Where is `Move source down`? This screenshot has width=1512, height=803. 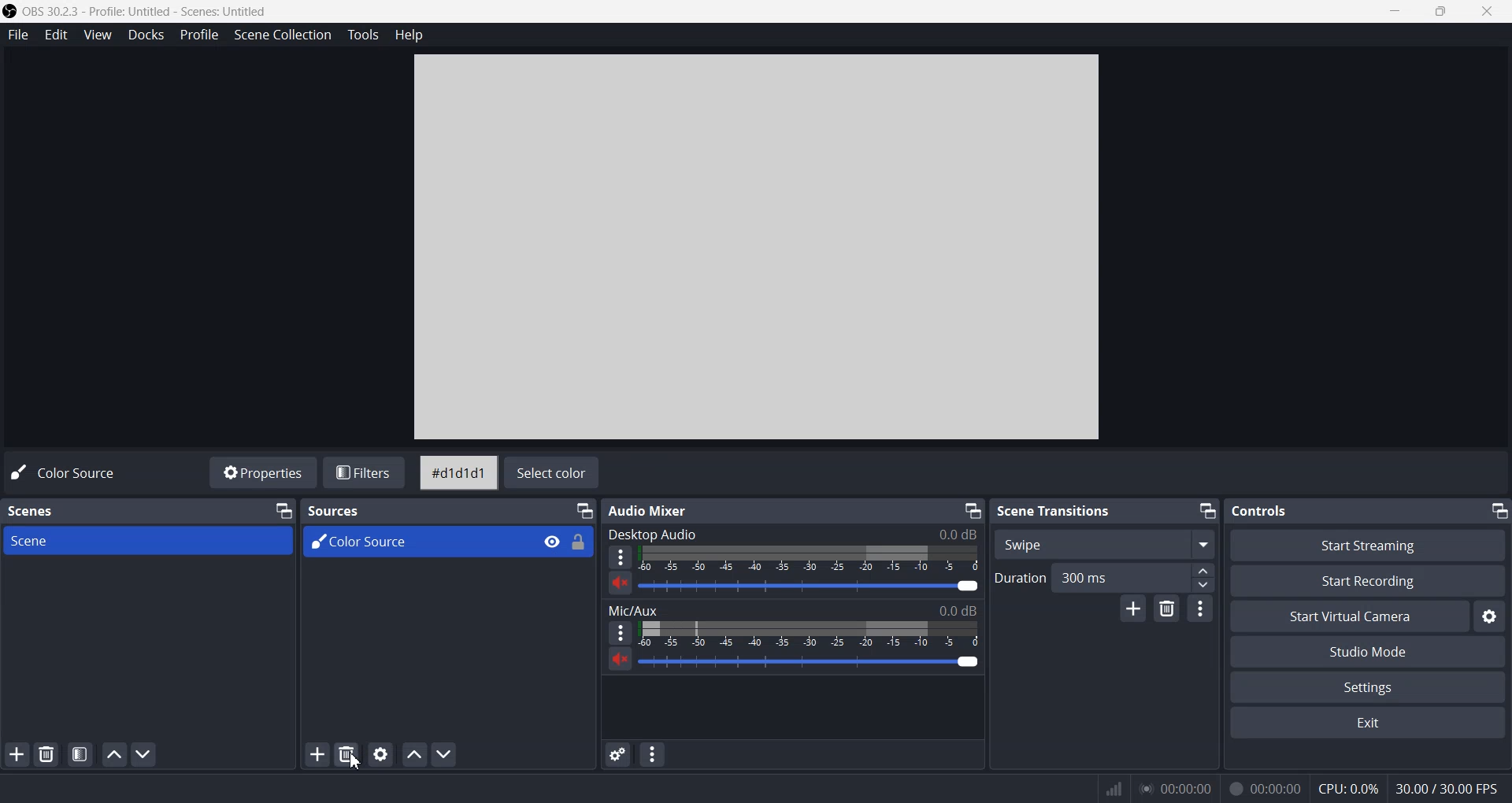 Move source down is located at coordinates (444, 753).